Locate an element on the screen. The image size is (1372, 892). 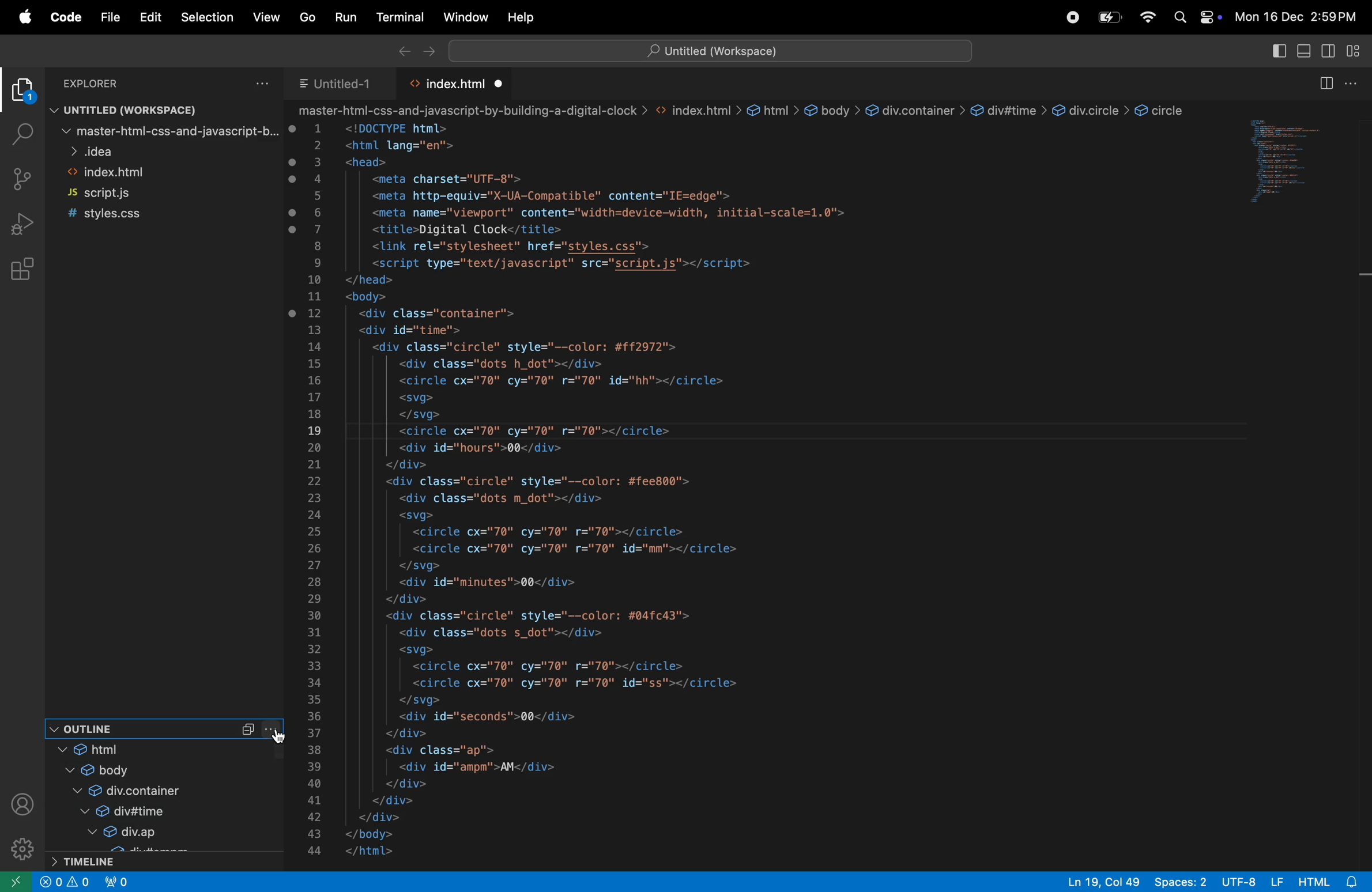
index.html is located at coordinates (455, 84).